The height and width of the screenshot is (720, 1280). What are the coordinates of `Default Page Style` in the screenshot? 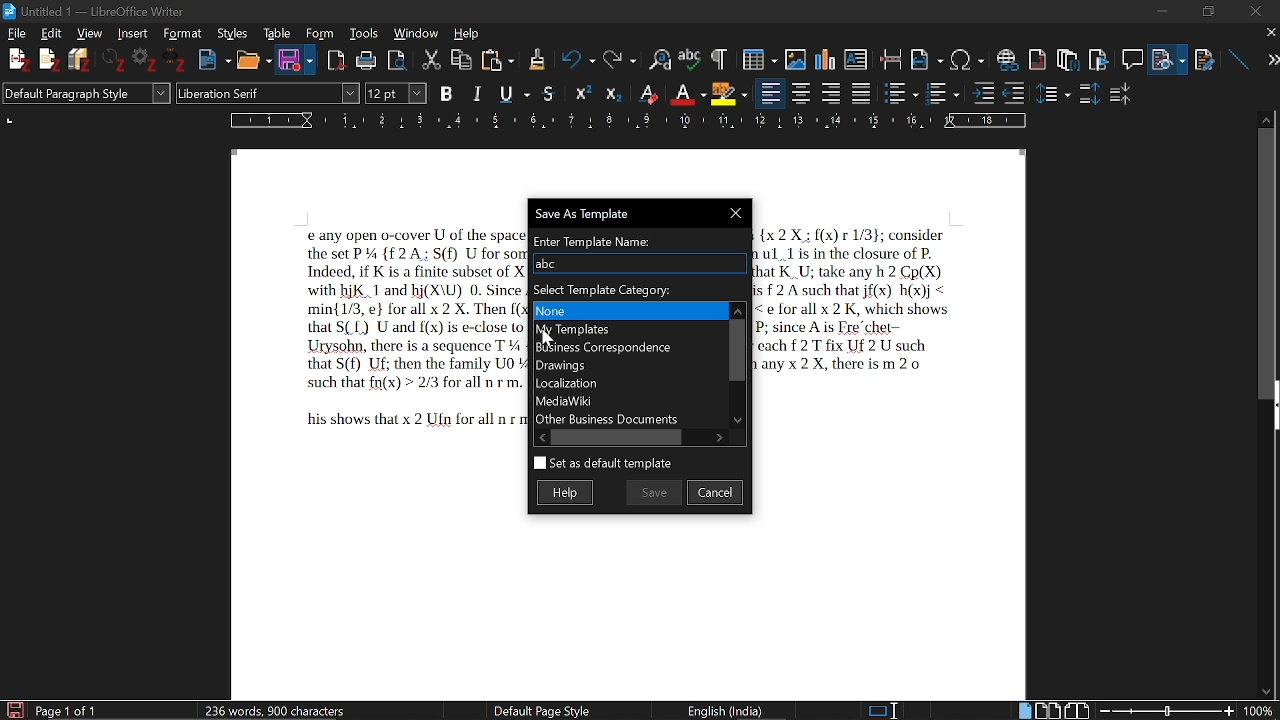 It's located at (541, 710).